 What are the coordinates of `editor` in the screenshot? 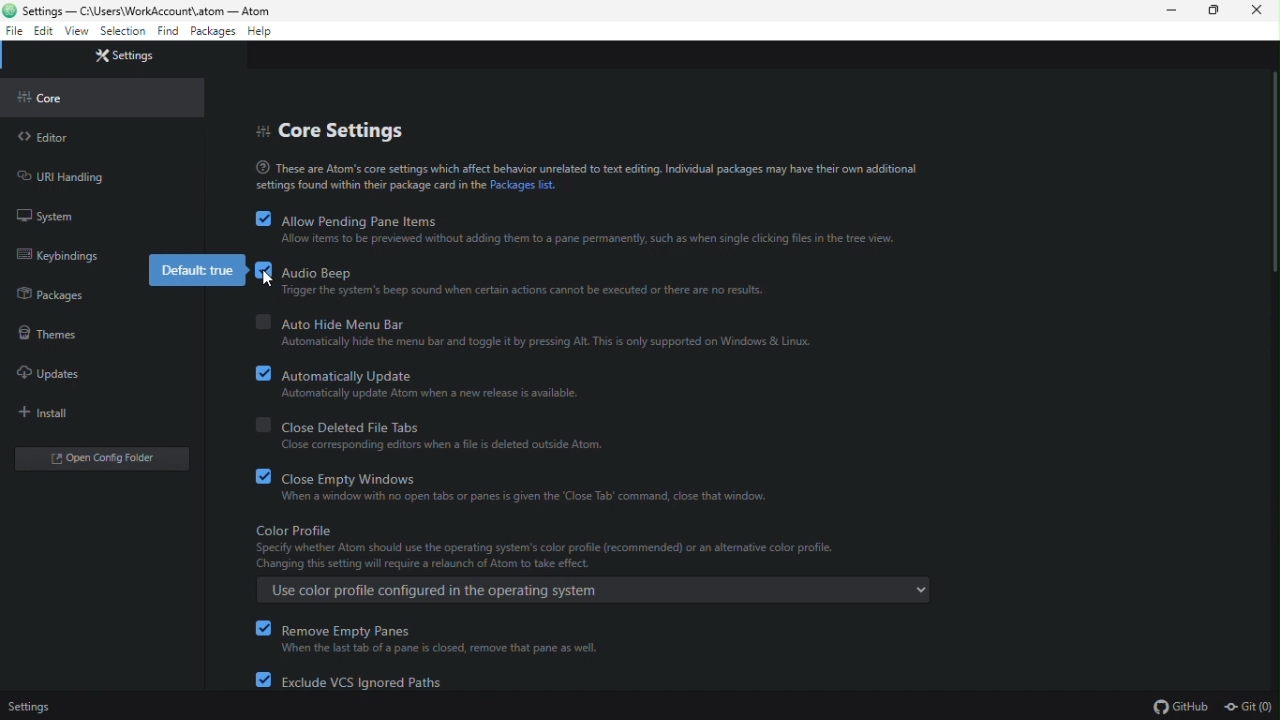 It's located at (45, 136).